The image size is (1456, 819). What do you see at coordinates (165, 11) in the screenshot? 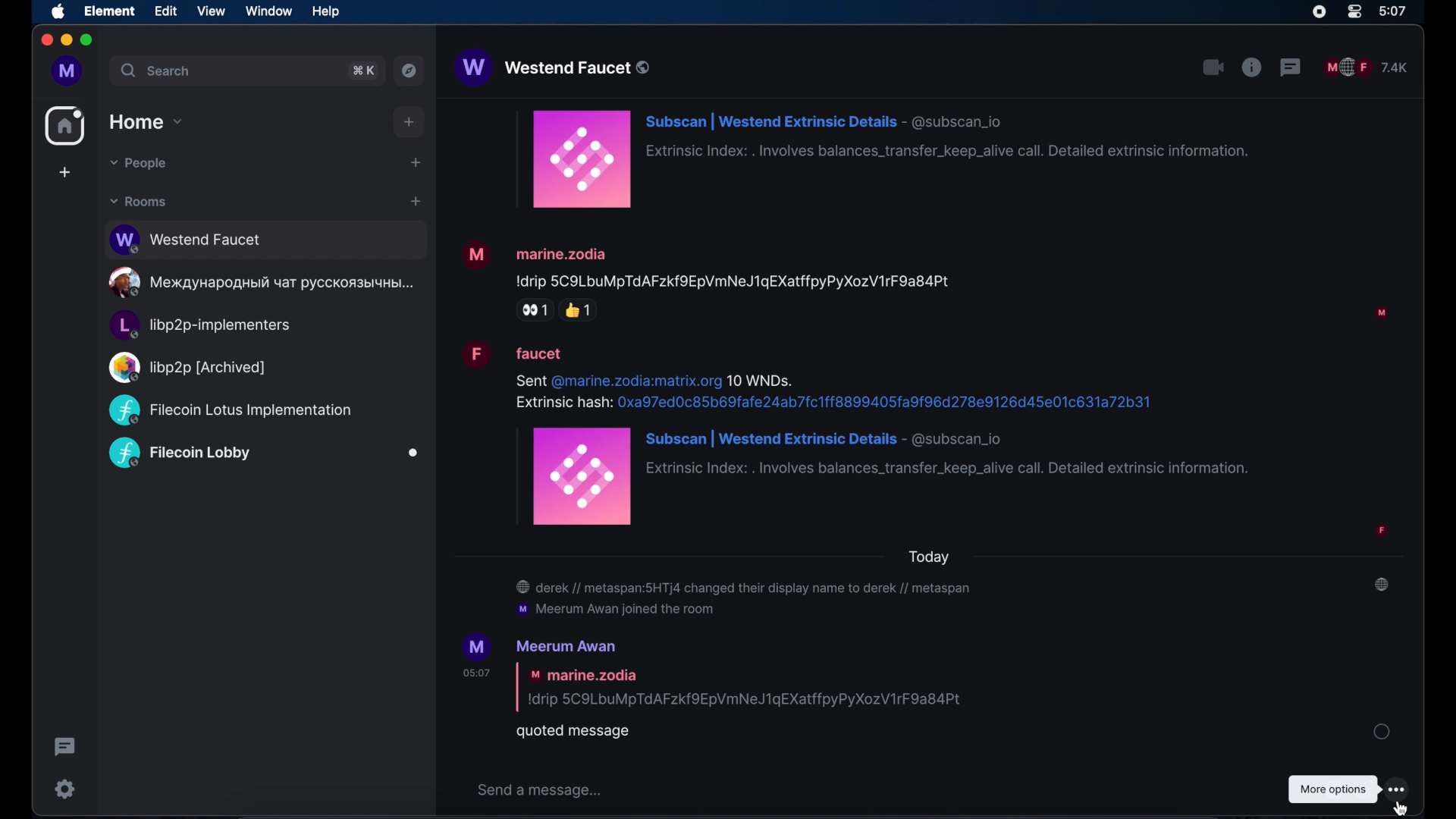
I see `edit` at bounding box center [165, 11].